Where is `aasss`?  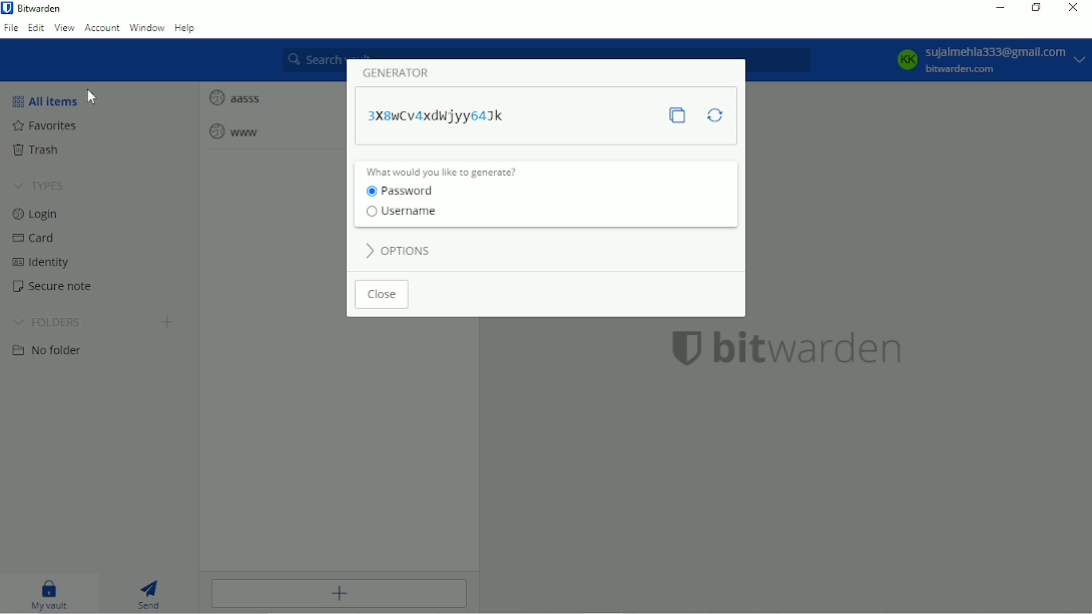
aasss is located at coordinates (236, 97).